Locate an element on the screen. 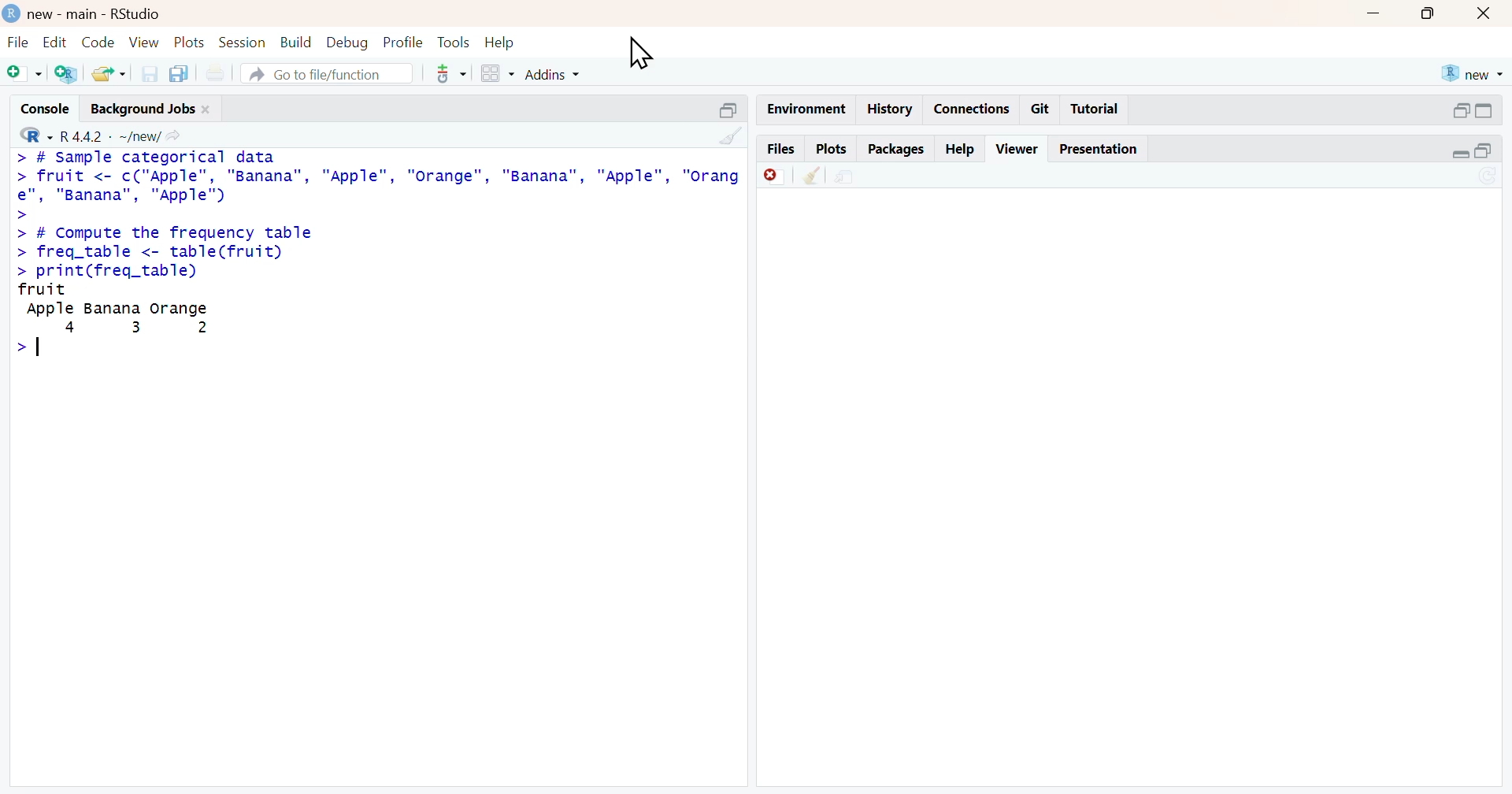 The height and width of the screenshot is (794, 1512). R 4.4.2 - new is located at coordinates (84, 135).